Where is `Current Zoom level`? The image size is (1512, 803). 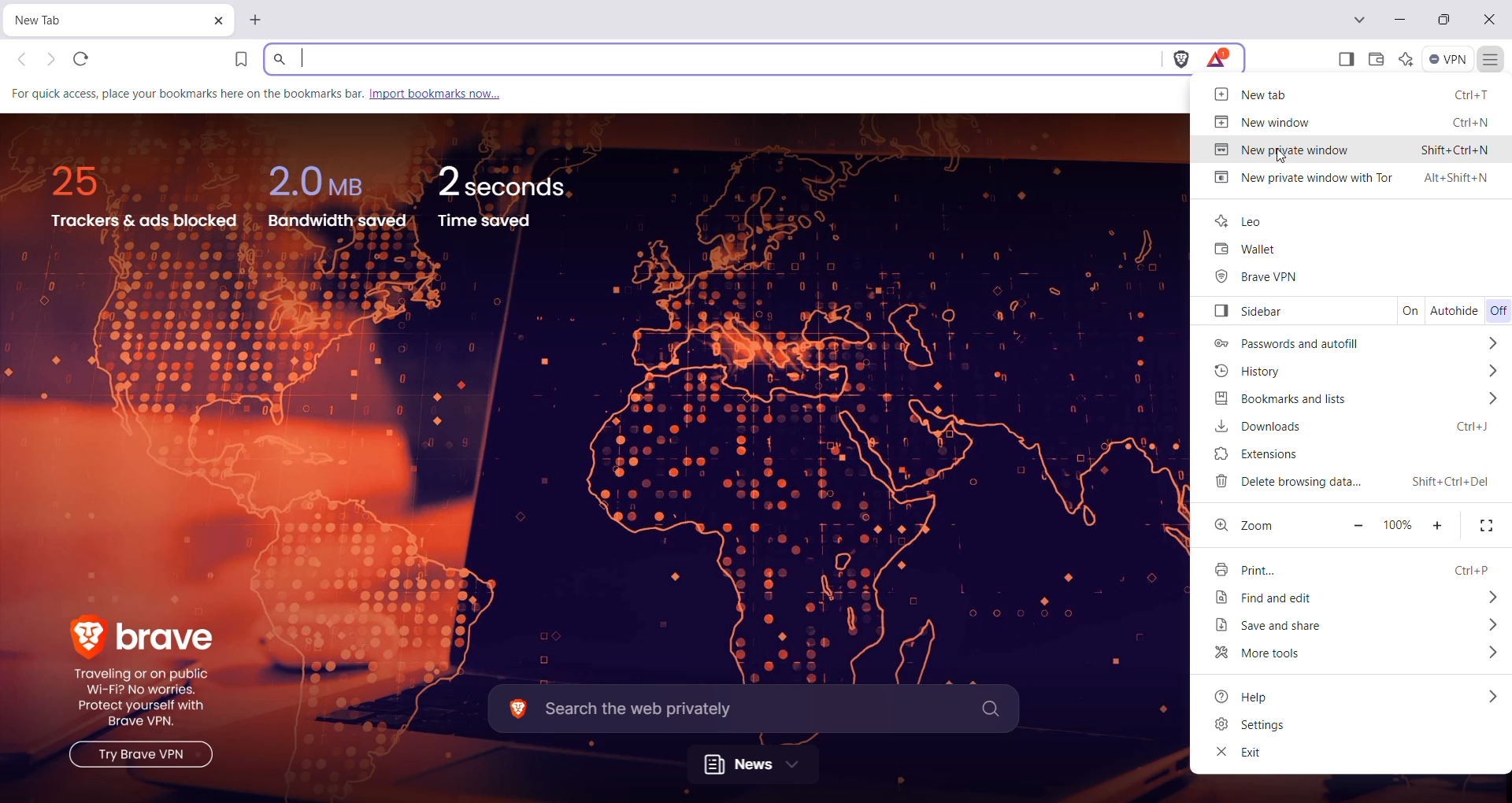 Current Zoom level is located at coordinates (1398, 524).